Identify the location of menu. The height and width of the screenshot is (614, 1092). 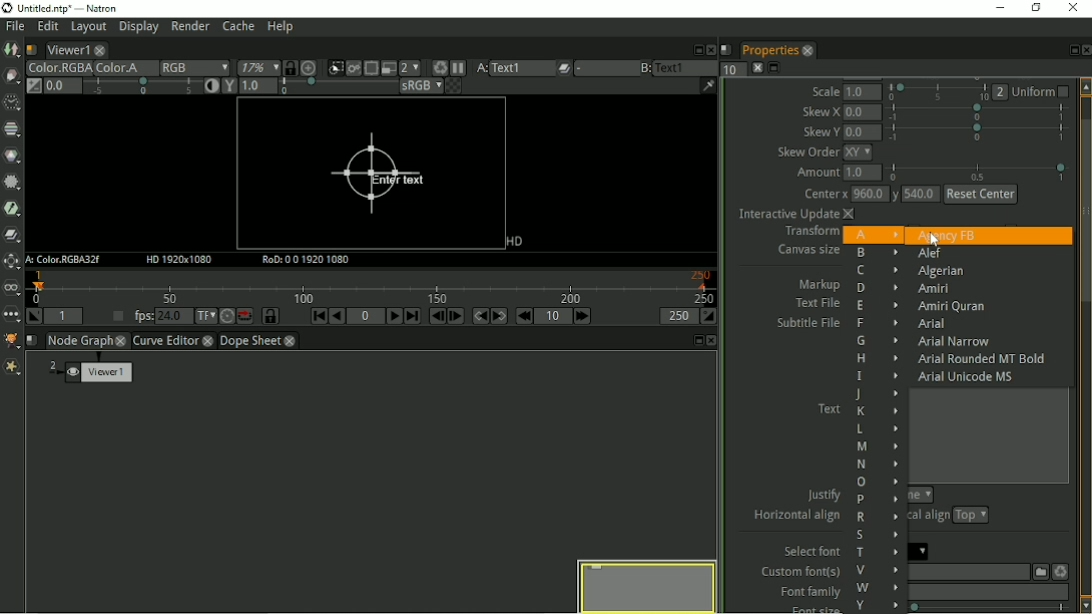
(604, 69).